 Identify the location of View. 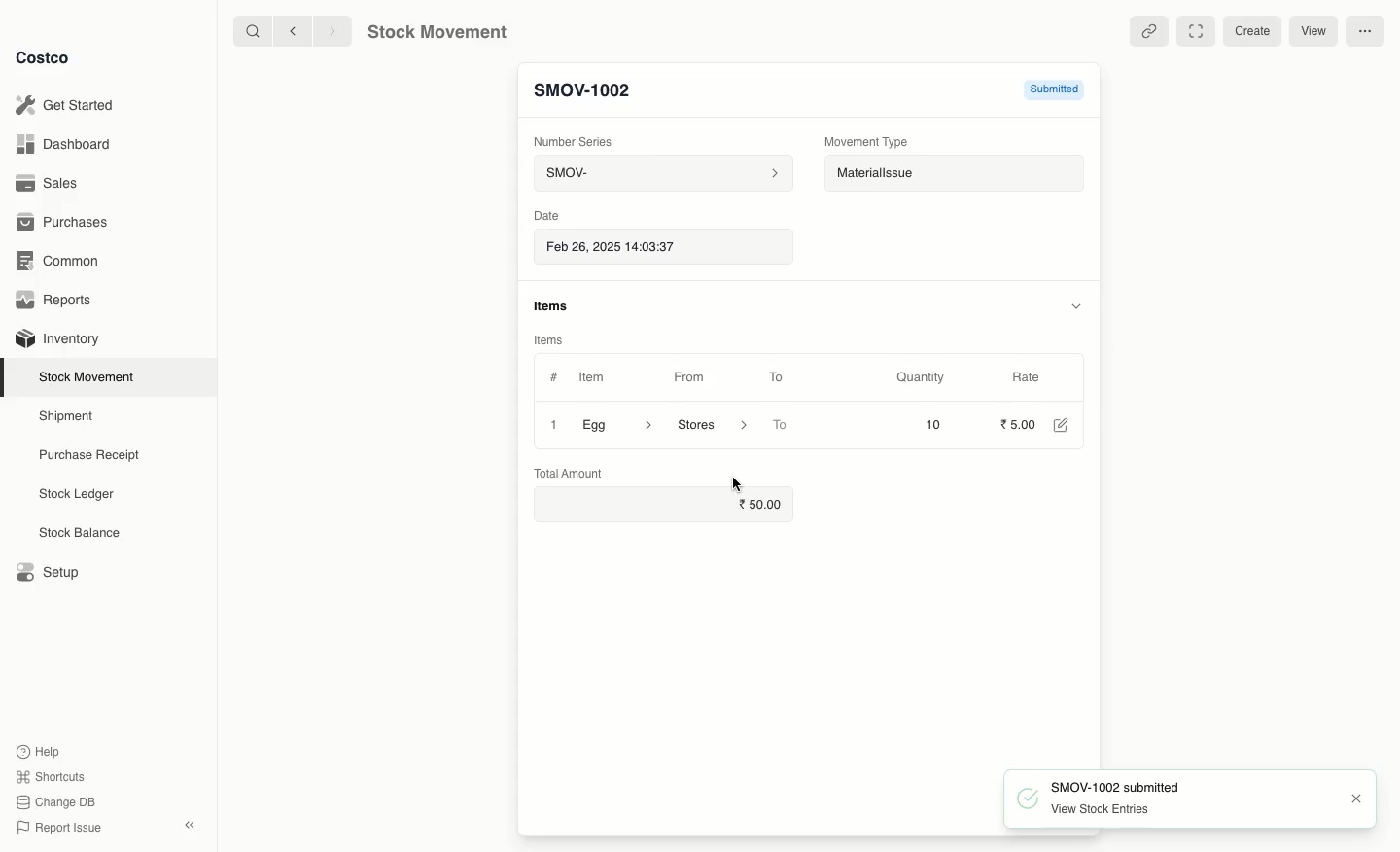
(1317, 30).